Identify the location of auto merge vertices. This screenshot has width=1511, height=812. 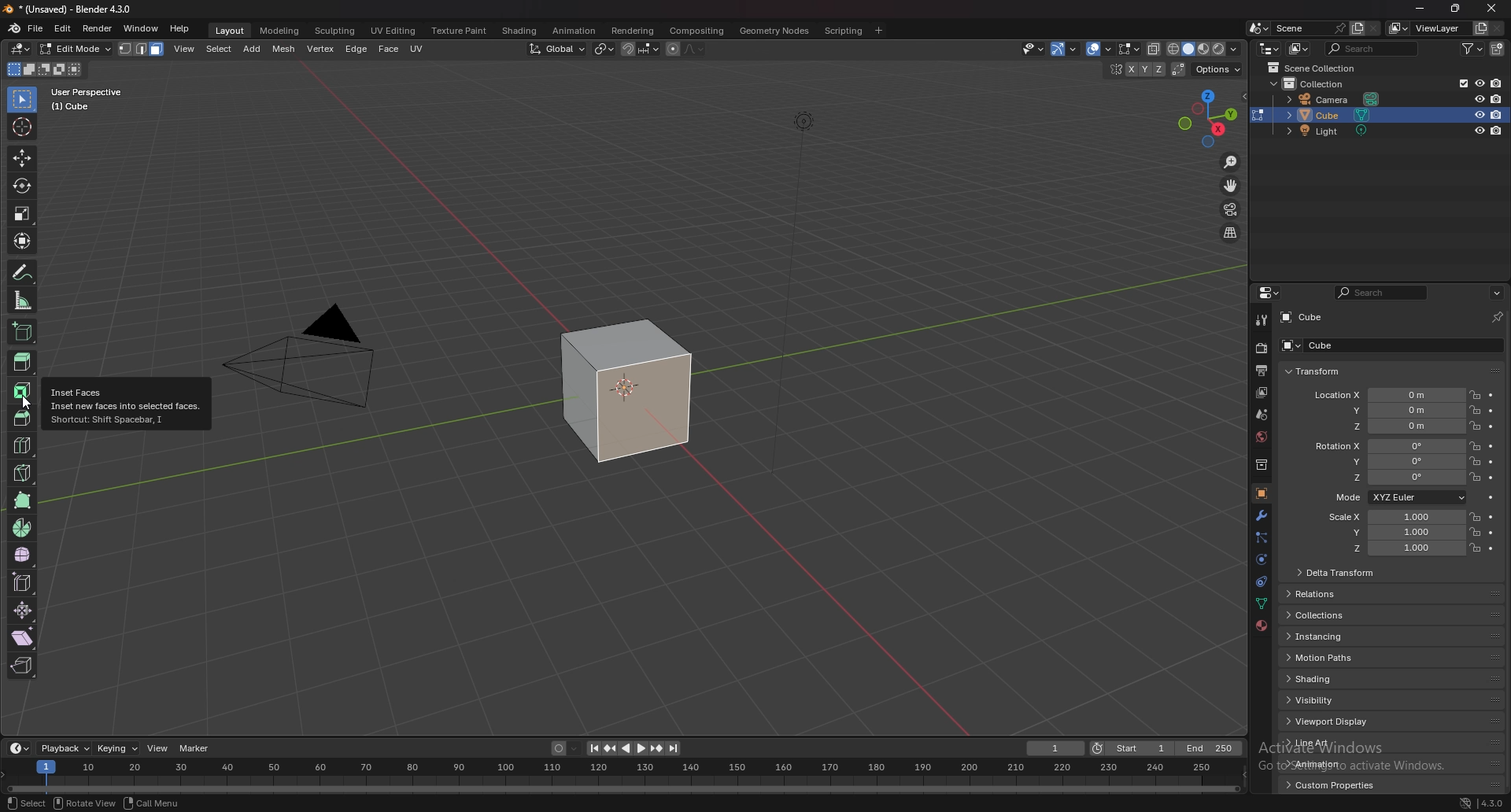
(1180, 69).